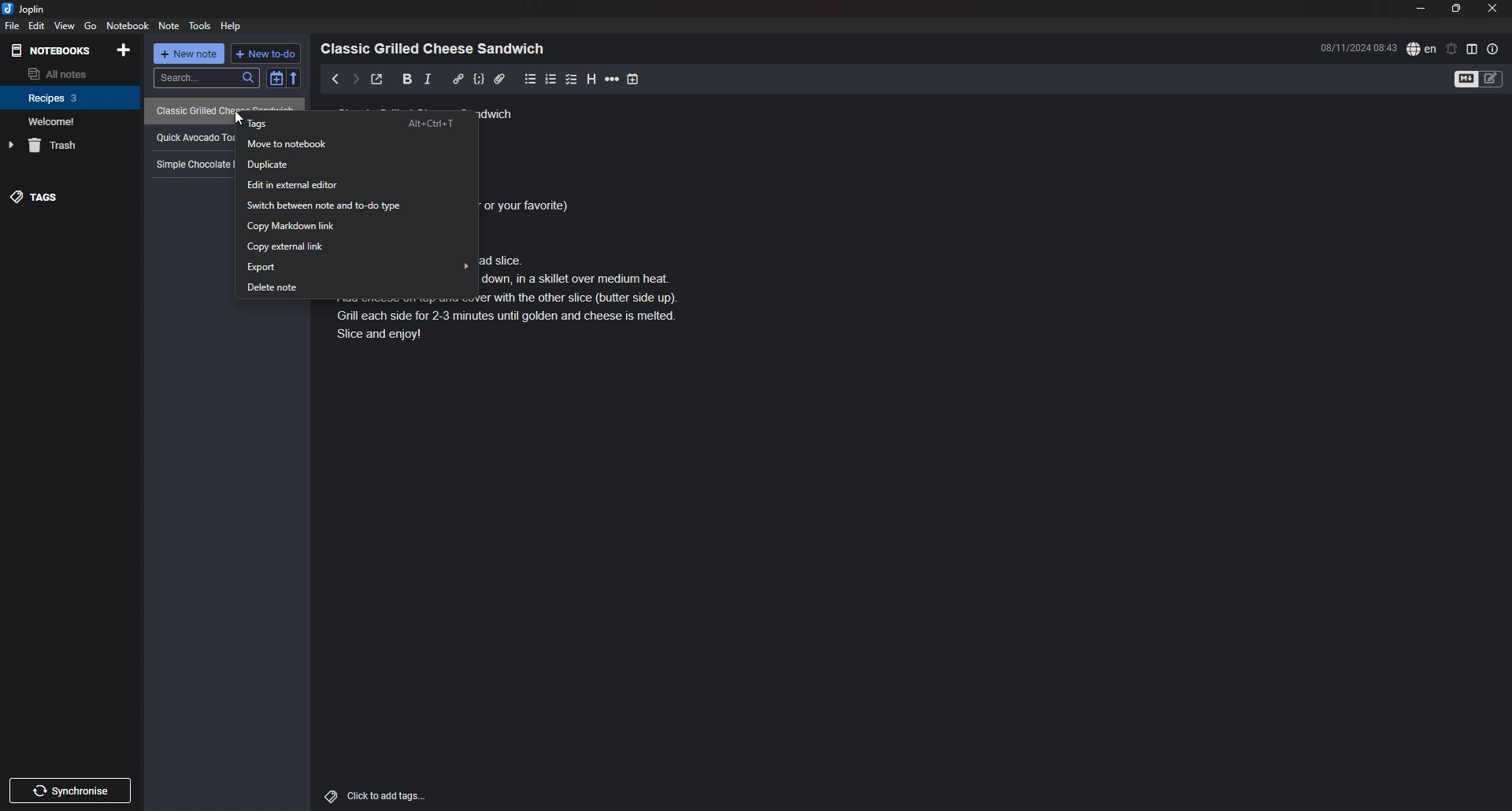 The width and height of the screenshot is (1512, 811). Describe the element at coordinates (1493, 49) in the screenshot. I see `note properties` at that location.